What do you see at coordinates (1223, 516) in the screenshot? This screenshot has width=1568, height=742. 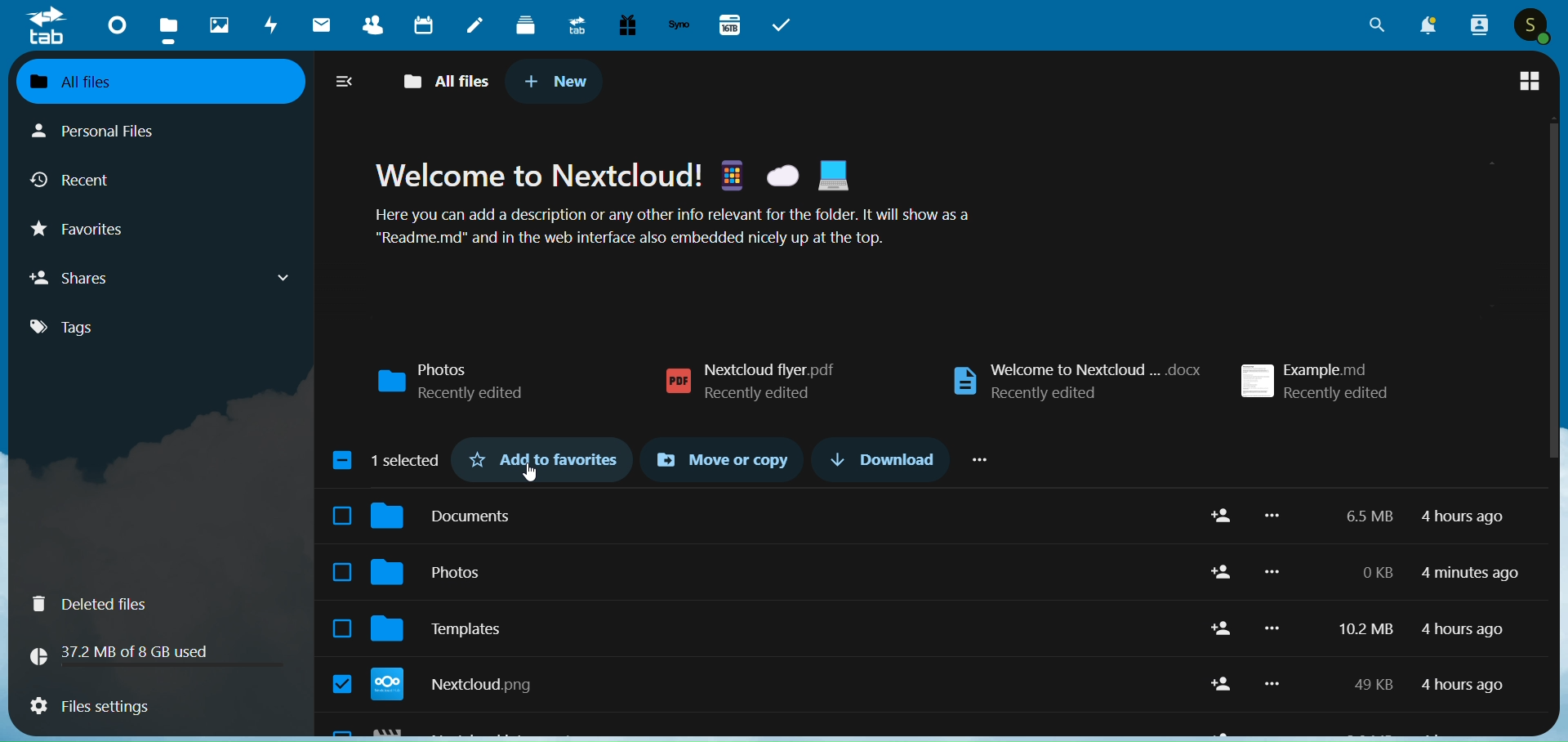 I see `Add` at bounding box center [1223, 516].